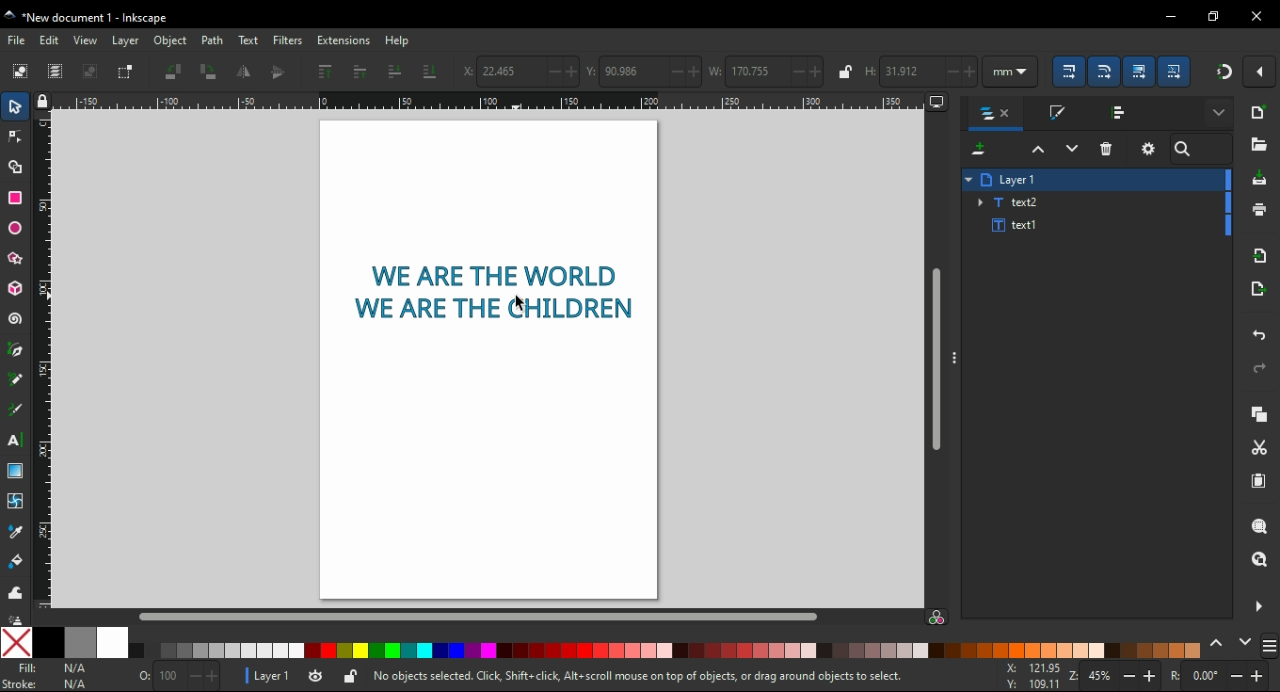  Describe the element at coordinates (1259, 71) in the screenshot. I see `snap settings` at that location.